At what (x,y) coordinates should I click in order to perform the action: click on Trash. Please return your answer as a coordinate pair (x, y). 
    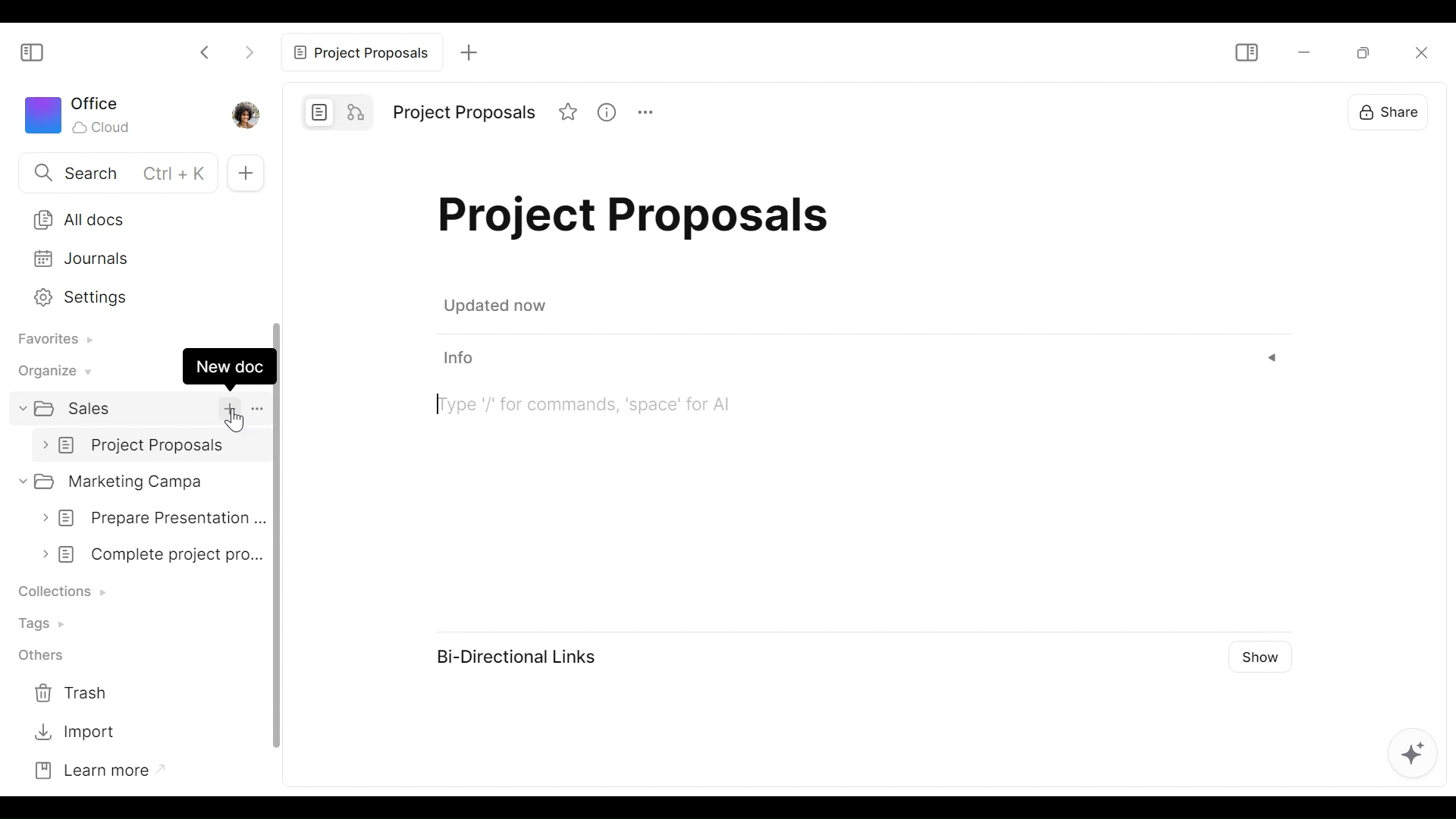
    Looking at the image, I should click on (79, 693).